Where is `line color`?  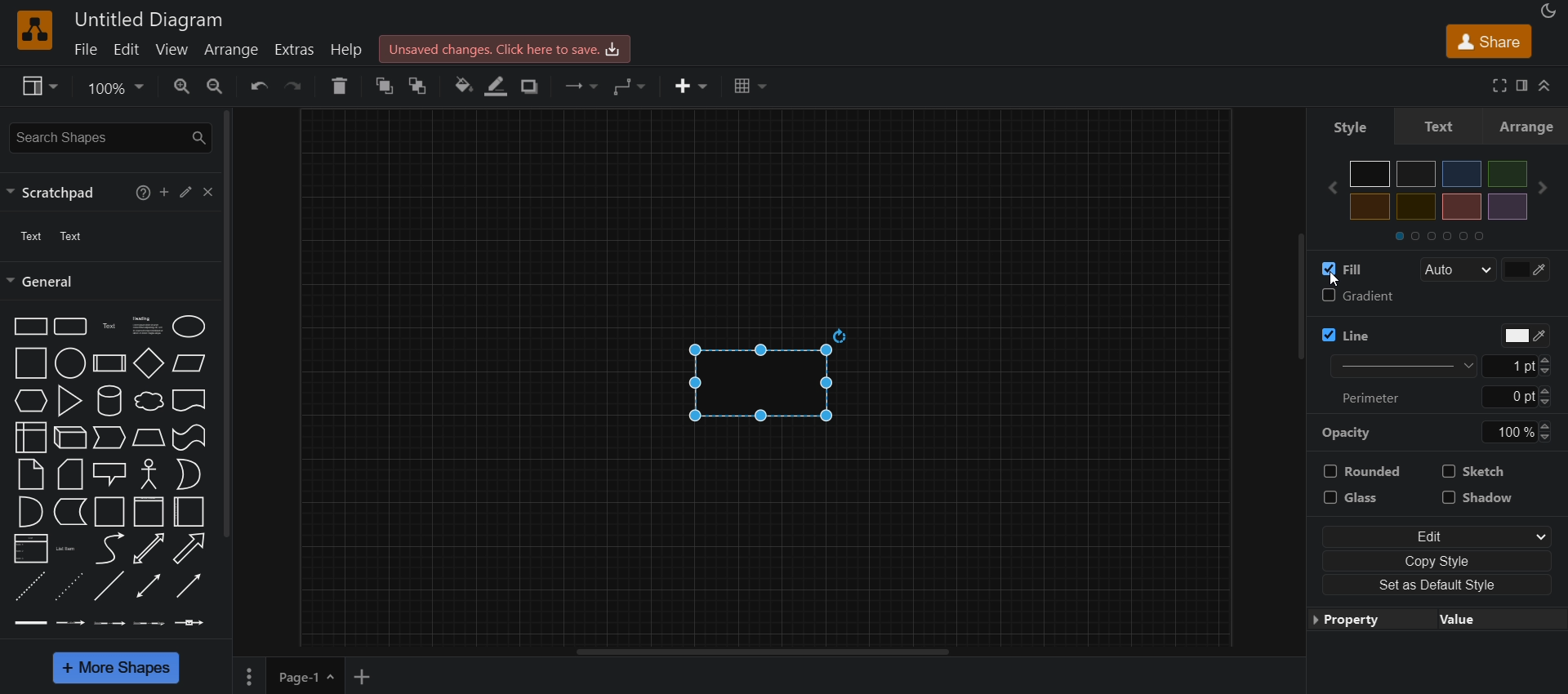 line color is located at coordinates (1524, 336).